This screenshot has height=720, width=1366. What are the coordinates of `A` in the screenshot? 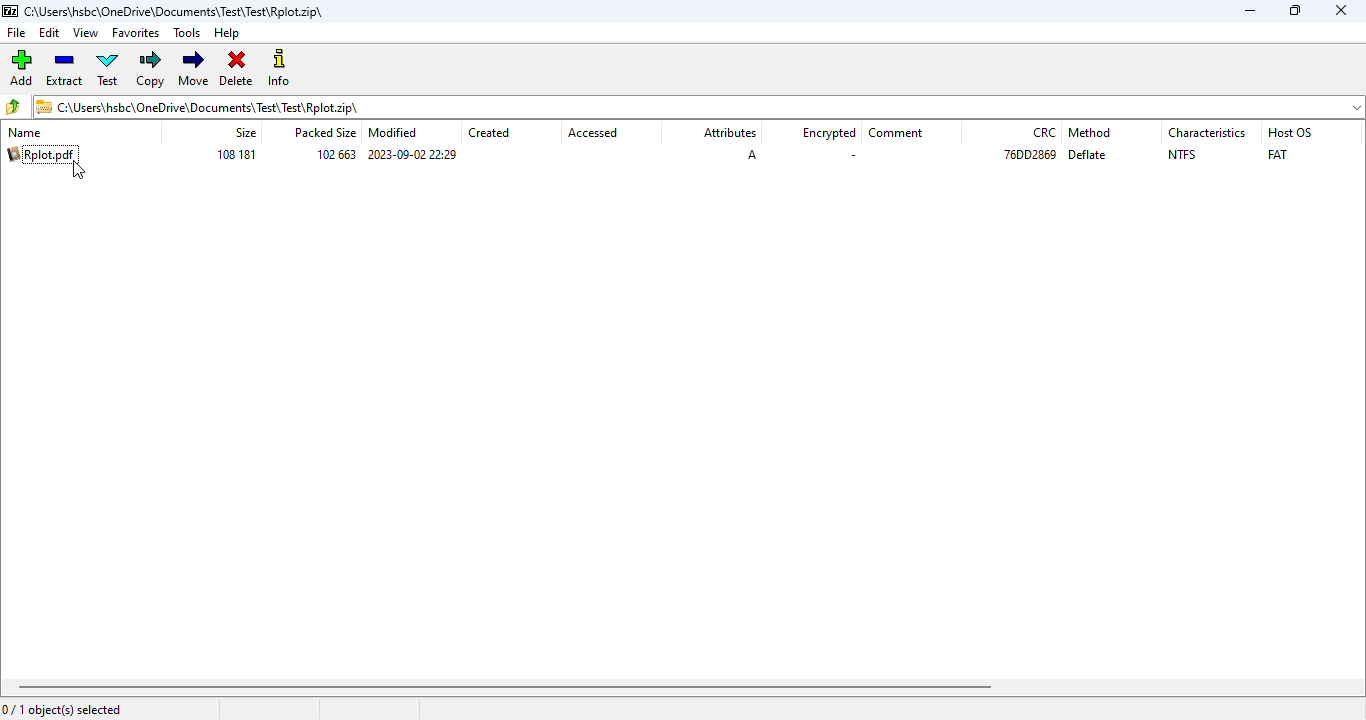 It's located at (753, 154).